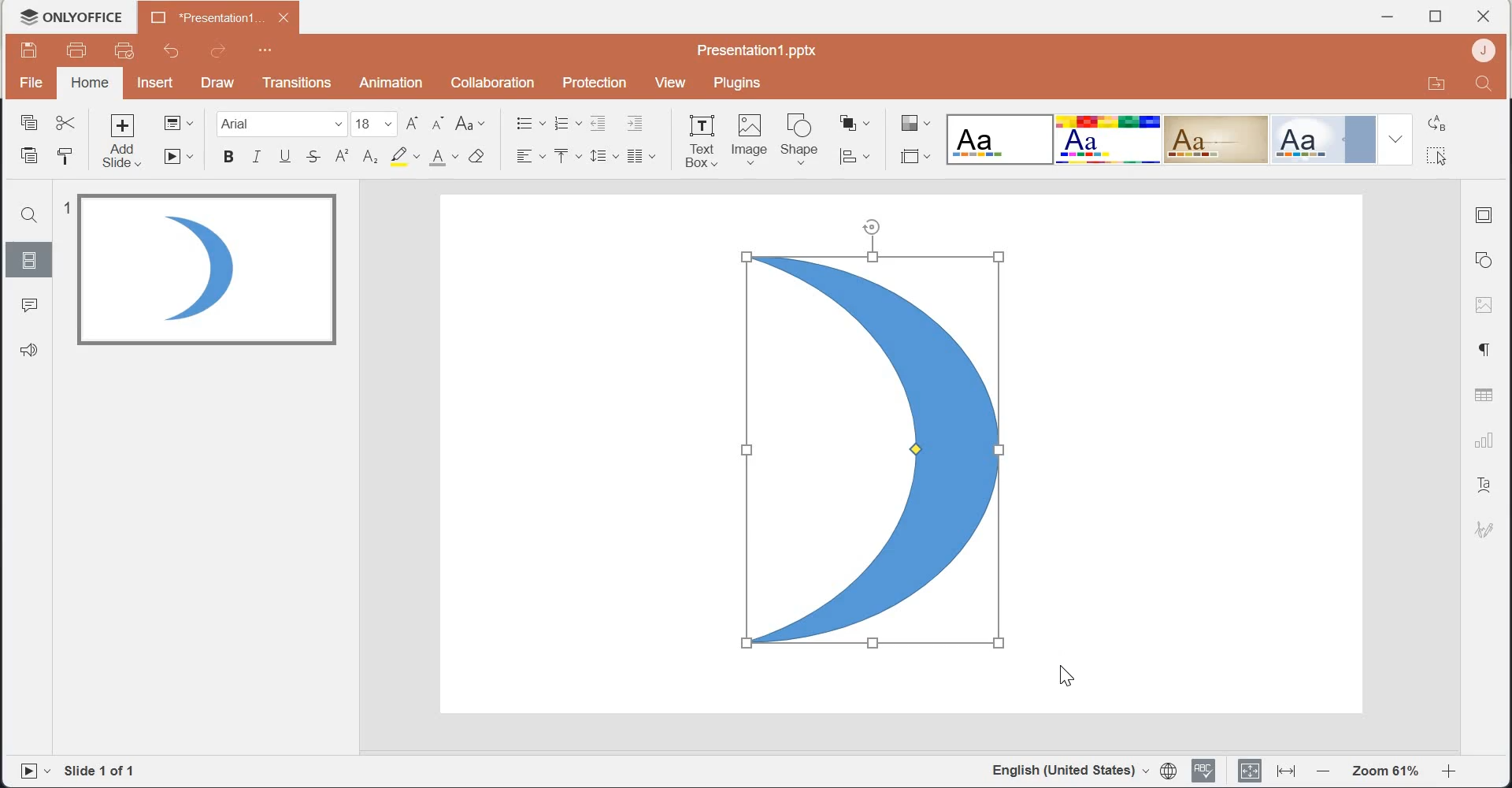  Describe the element at coordinates (1394, 139) in the screenshot. I see `Drop down` at that location.